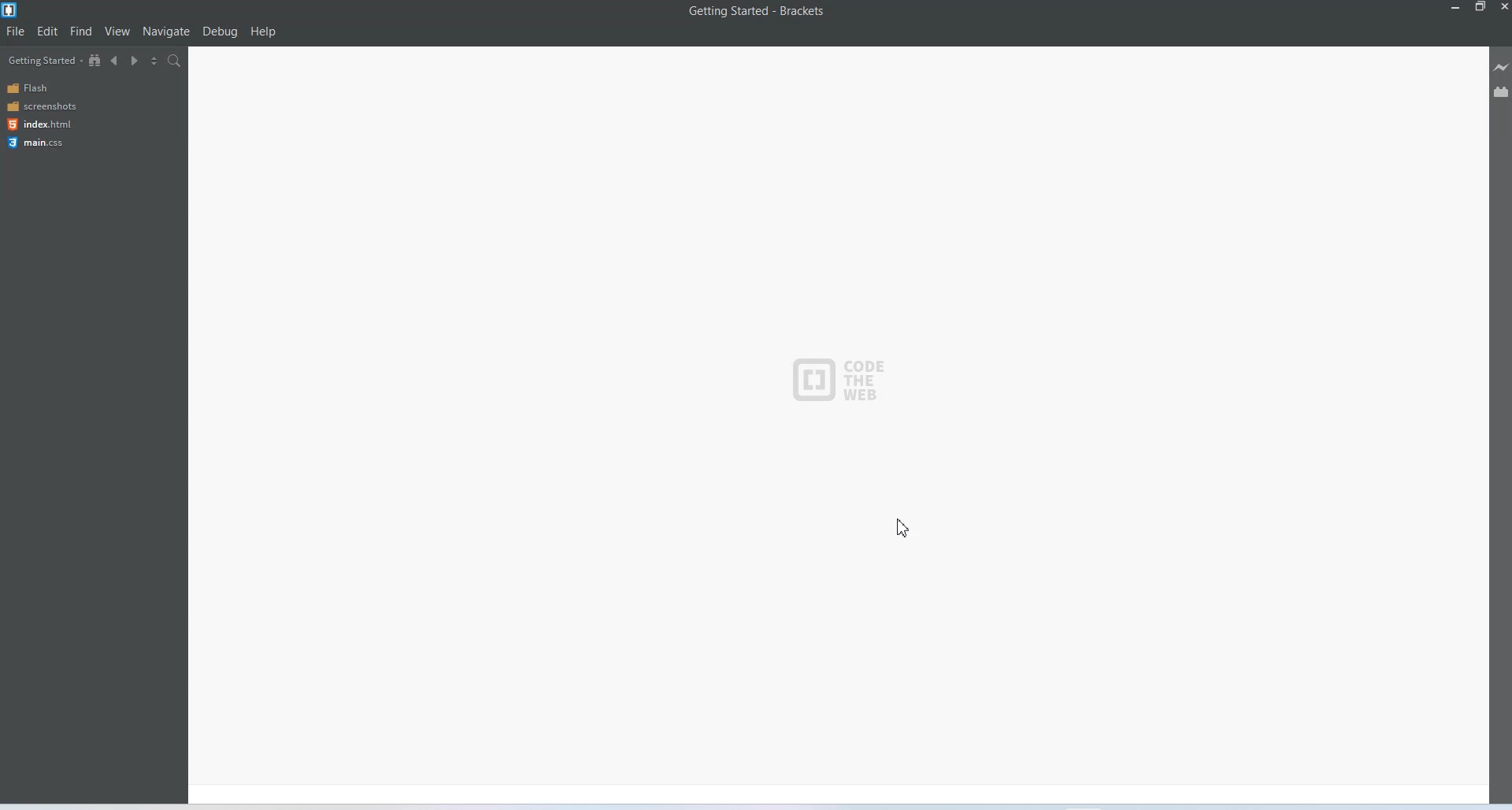 This screenshot has height=810, width=1512. Describe the element at coordinates (135, 60) in the screenshot. I see `Navigate forward` at that location.